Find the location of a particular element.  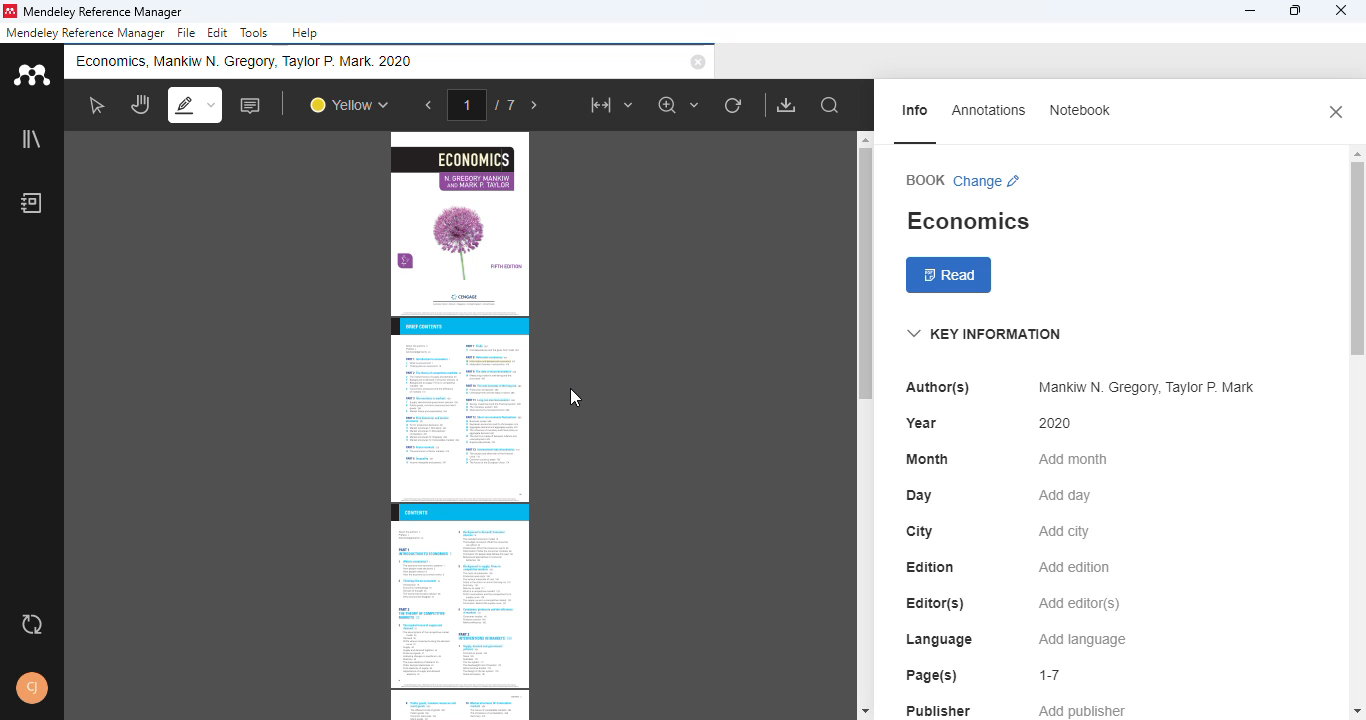

logo is located at coordinates (30, 73).